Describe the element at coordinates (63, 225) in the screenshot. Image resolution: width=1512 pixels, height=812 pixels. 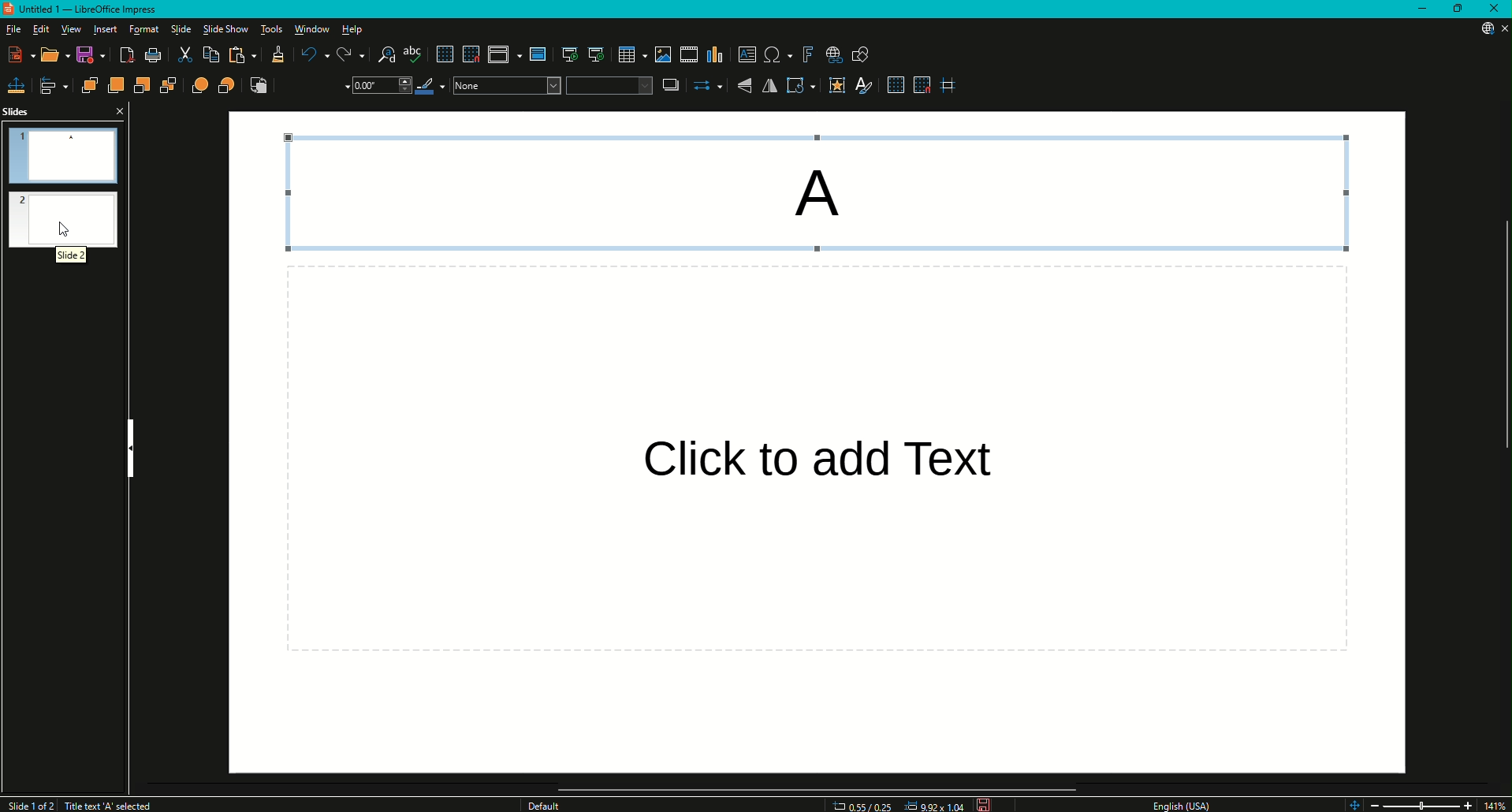
I see `Slide 2 Preview` at that location.